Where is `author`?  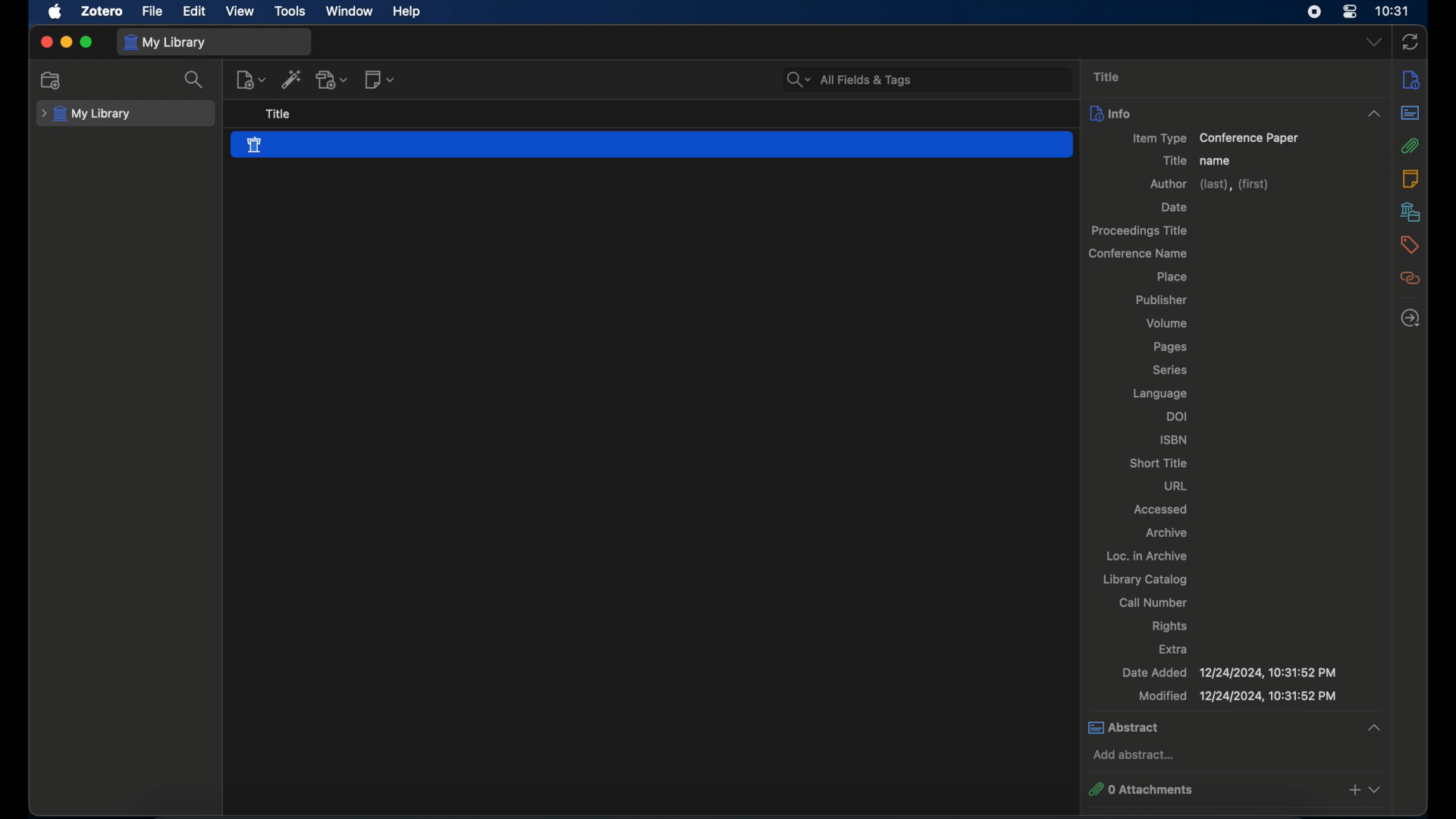
author is located at coordinates (1210, 184).